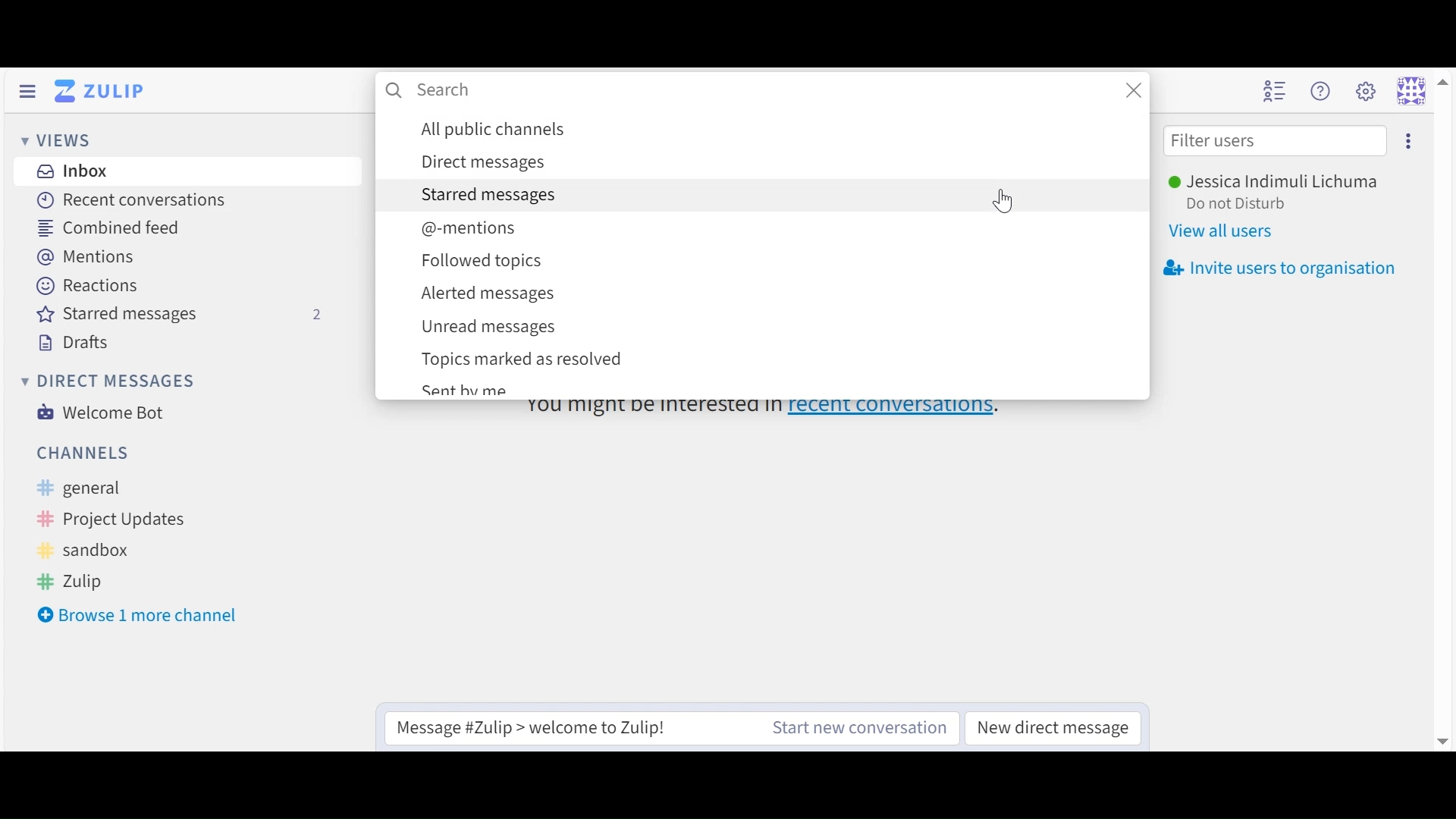  What do you see at coordinates (1435, 735) in the screenshot?
I see `Down` at bounding box center [1435, 735].